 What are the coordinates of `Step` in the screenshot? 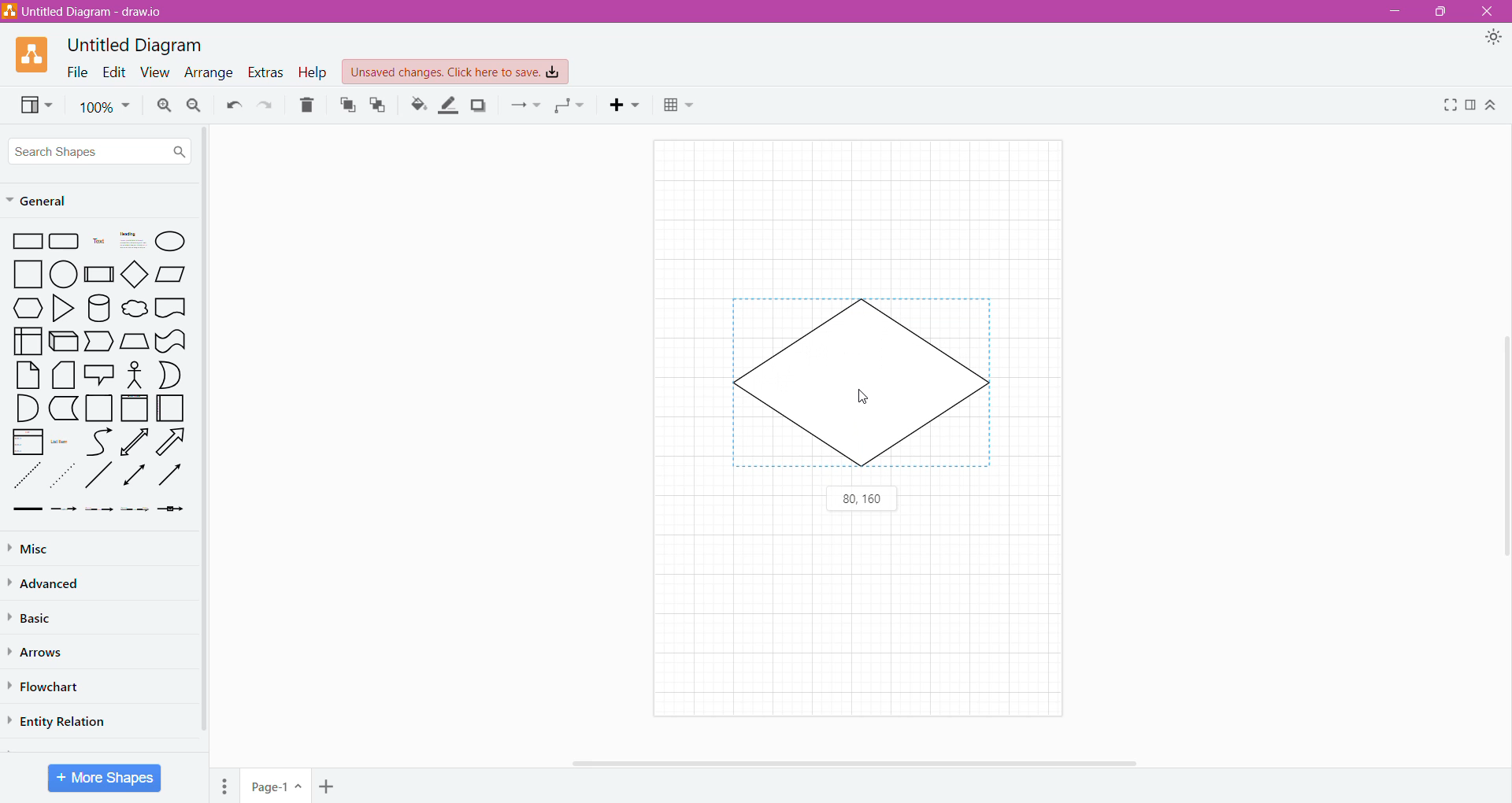 It's located at (98, 342).